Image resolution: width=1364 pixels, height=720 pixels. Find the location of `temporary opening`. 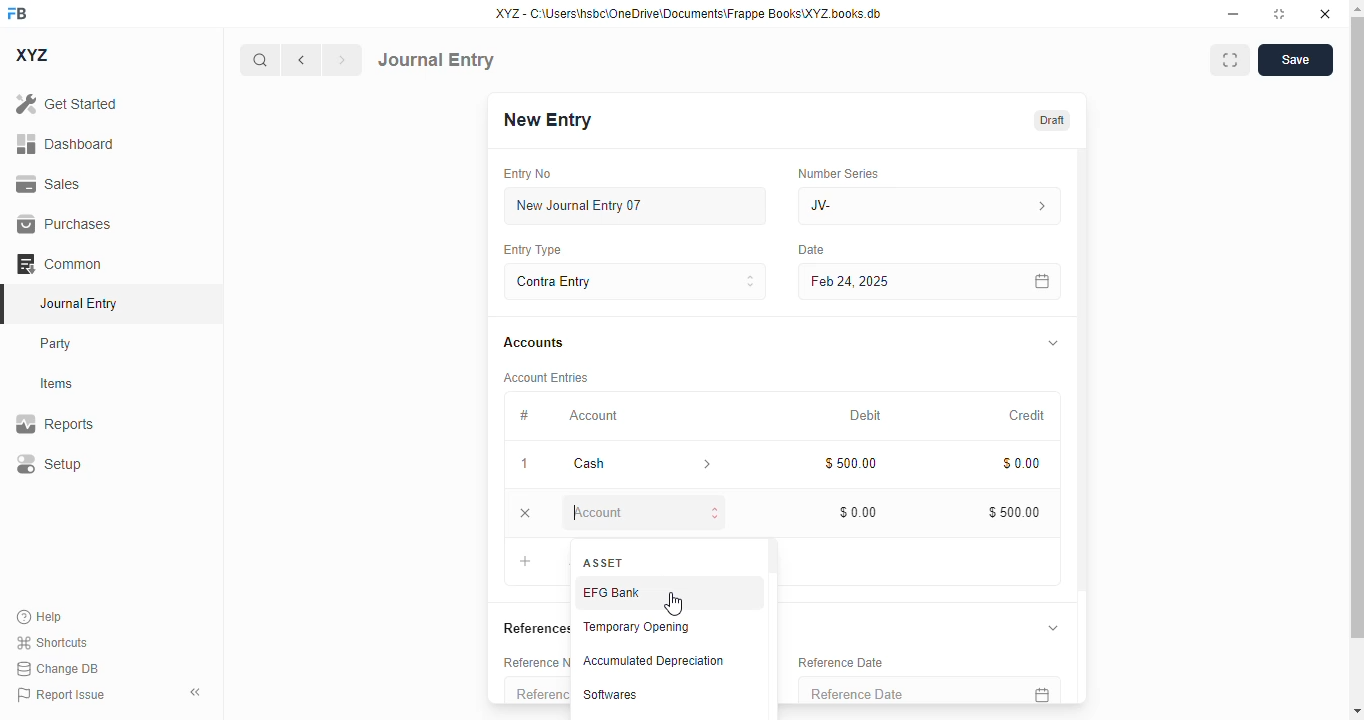

temporary opening is located at coordinates (635, 628).